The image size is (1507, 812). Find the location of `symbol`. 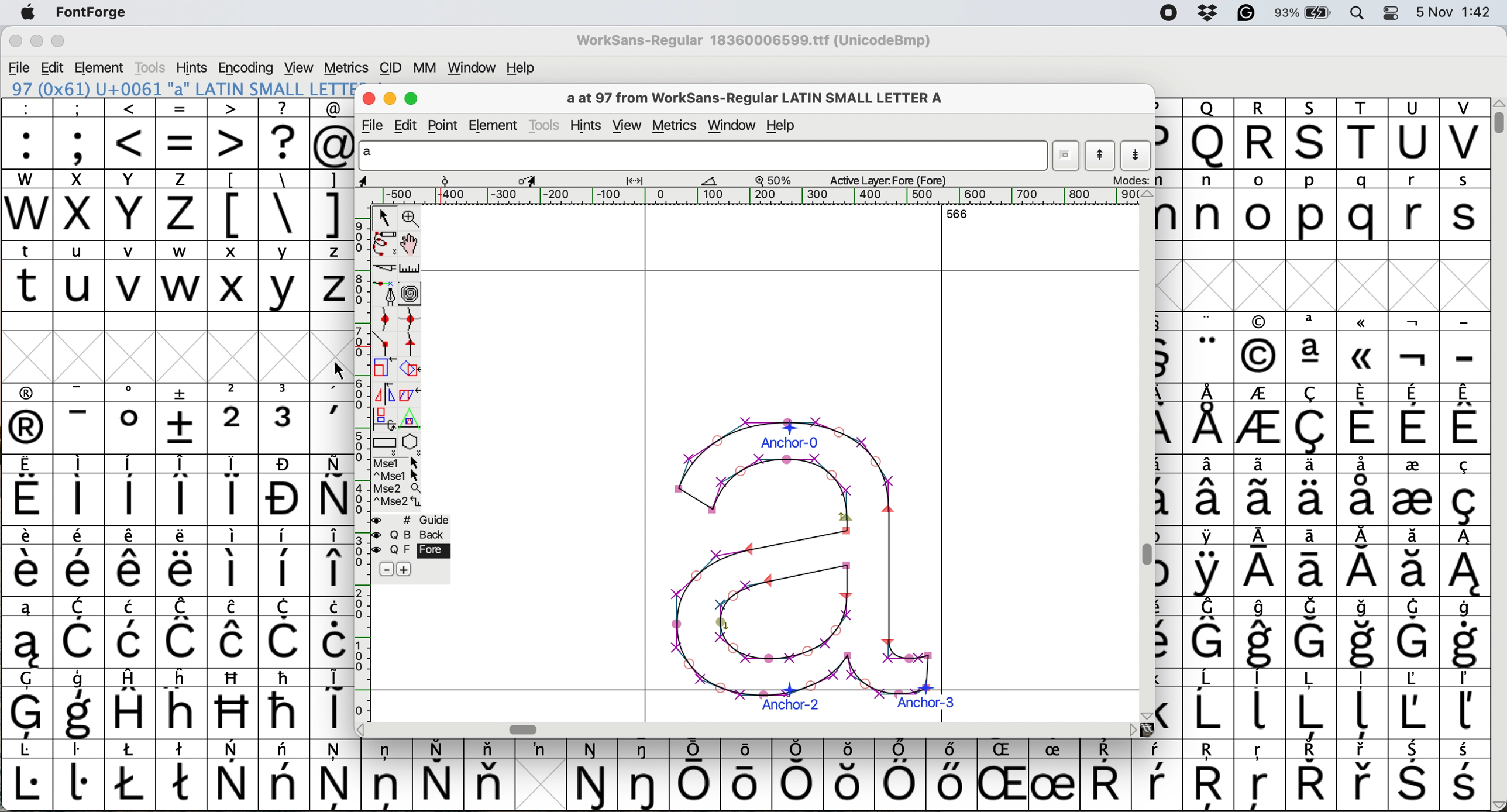

symbol is located at coordinates (1365, 634).